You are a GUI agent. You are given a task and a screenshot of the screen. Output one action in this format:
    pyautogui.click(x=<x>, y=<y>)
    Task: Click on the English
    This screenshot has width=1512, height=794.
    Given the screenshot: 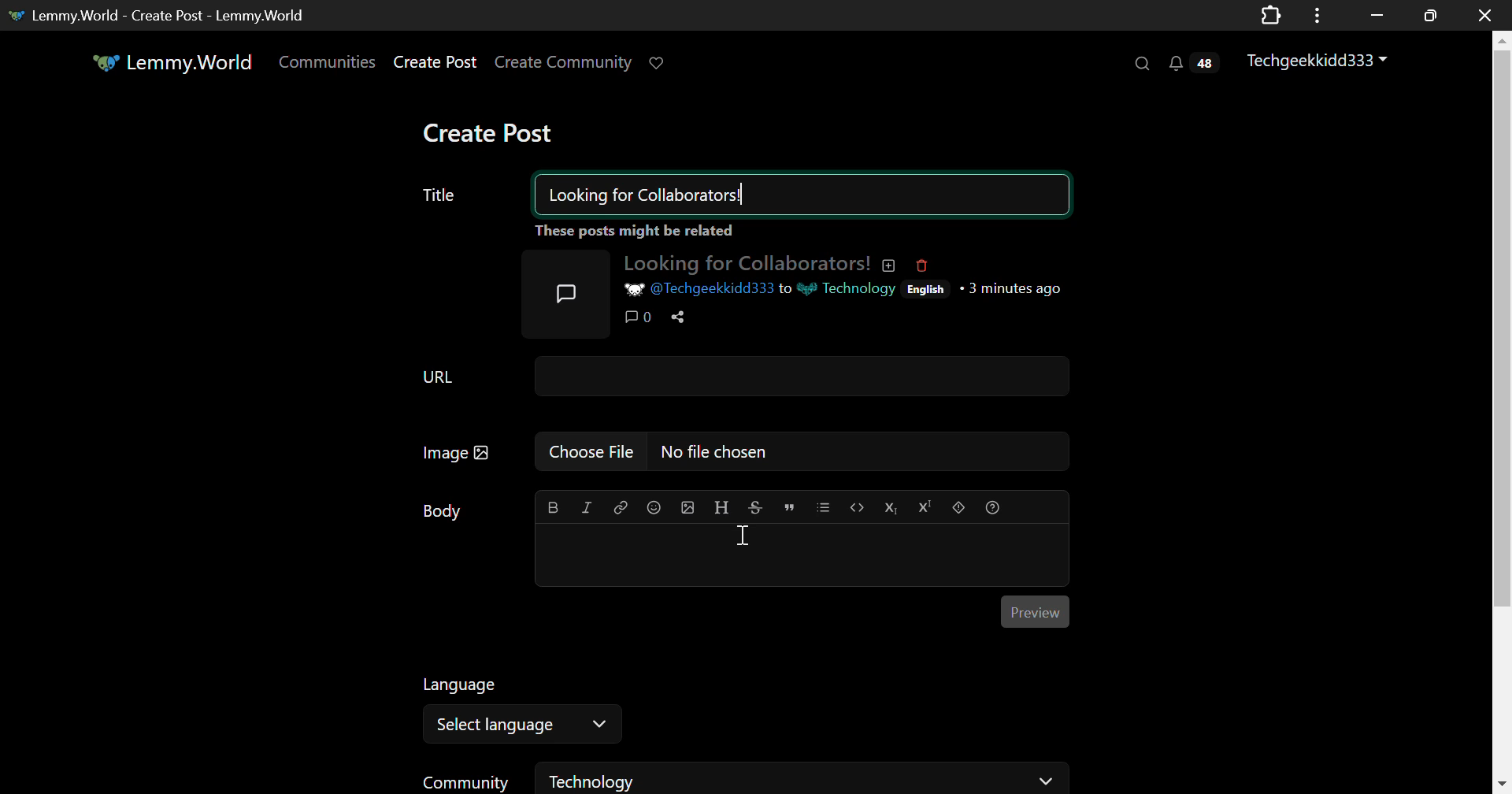 What is the action you would take?
    pyautogui.click(x=926, y=289)
    